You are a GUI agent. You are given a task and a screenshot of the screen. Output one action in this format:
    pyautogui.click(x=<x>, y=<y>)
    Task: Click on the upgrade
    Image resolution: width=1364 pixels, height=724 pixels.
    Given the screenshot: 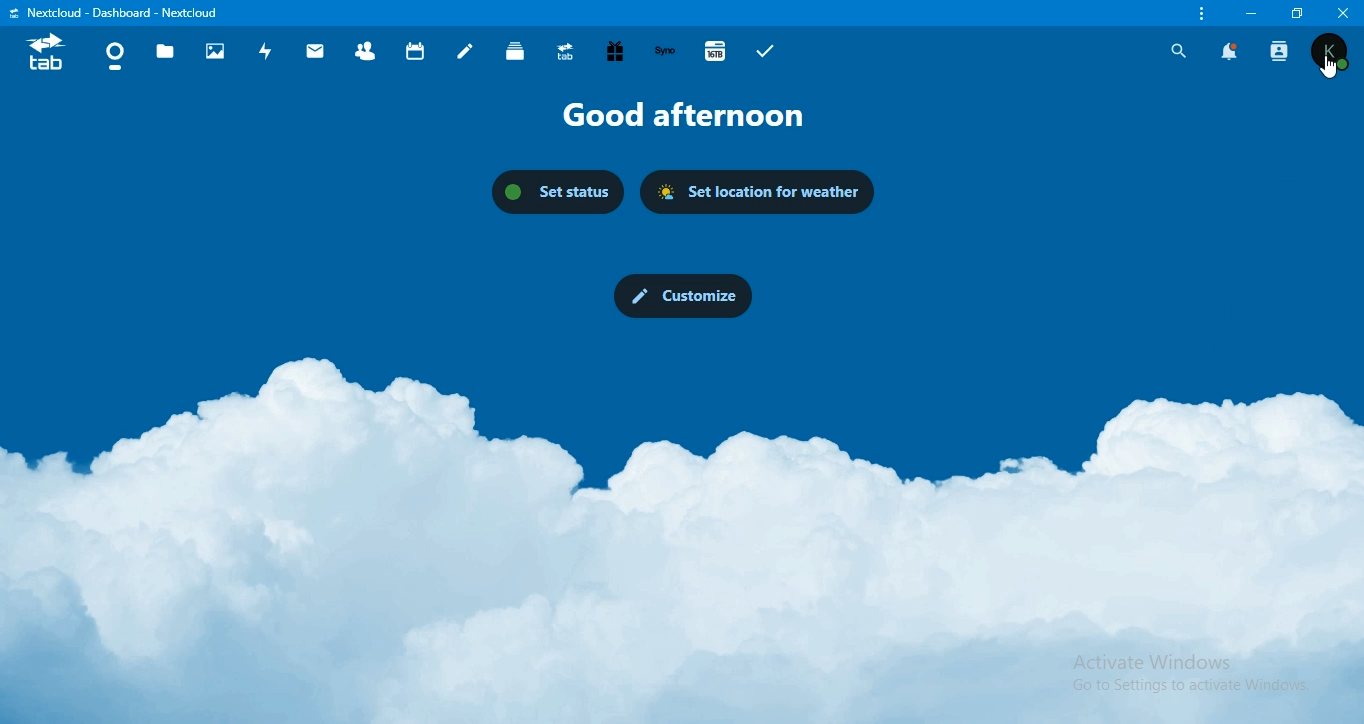 What is the action you would take?
    pyautogui.click(x=566, y=52)
    